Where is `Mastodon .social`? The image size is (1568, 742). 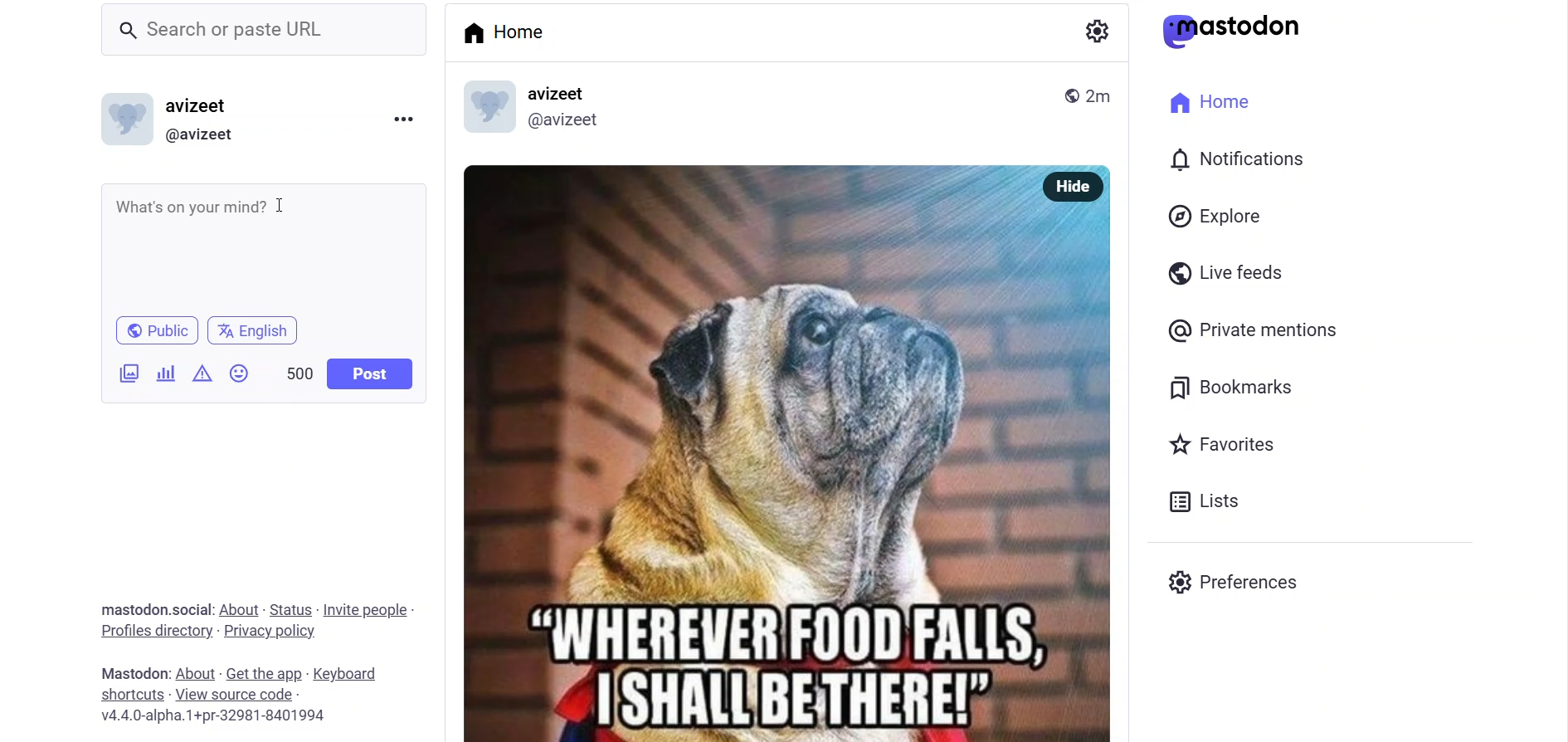 Mastodon .social is located at coordinates (131, 609).